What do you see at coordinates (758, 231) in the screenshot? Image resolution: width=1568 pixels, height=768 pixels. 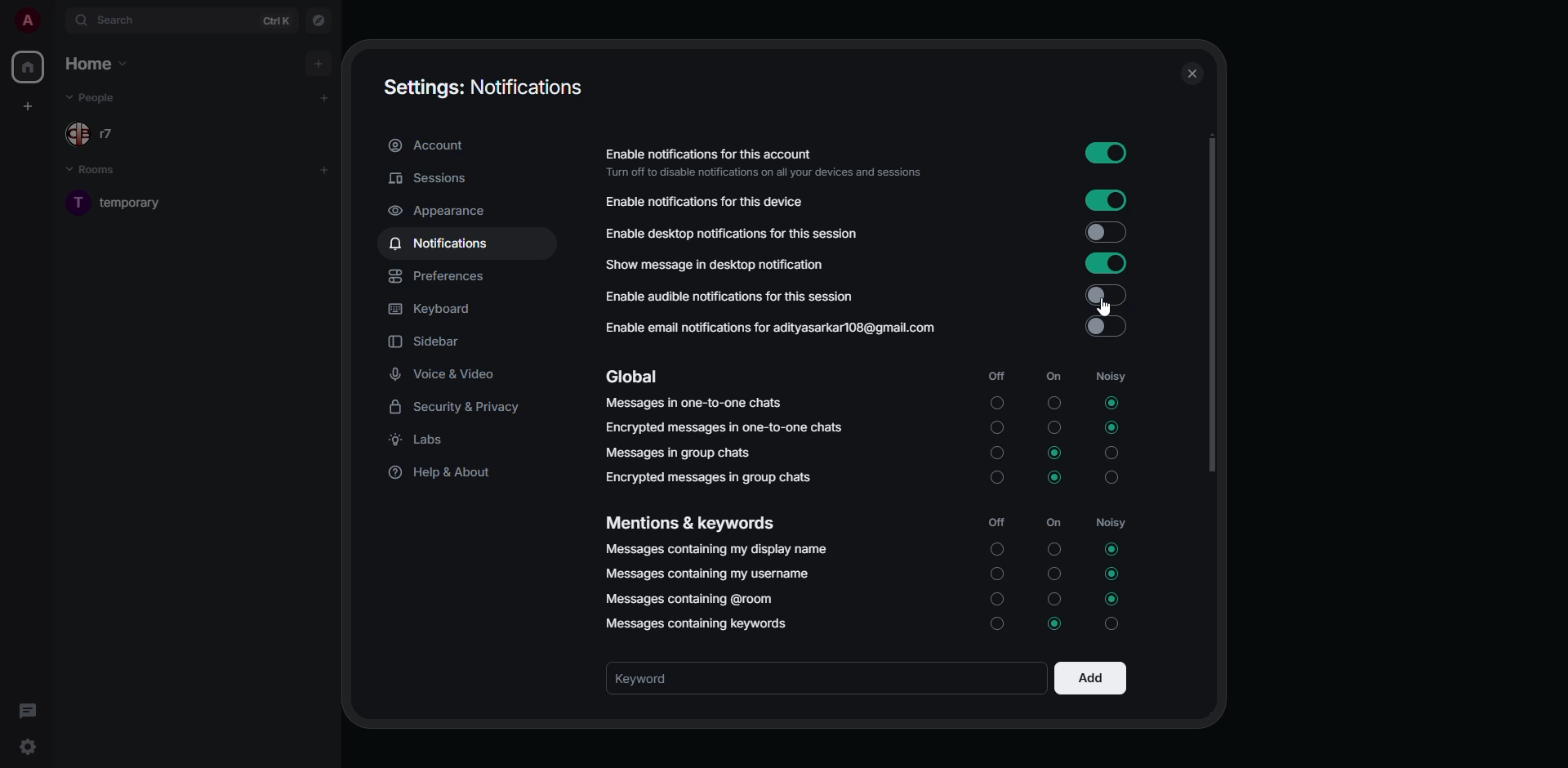 I see `enable desktop notifications for this session` at bounding box center [758, 231].